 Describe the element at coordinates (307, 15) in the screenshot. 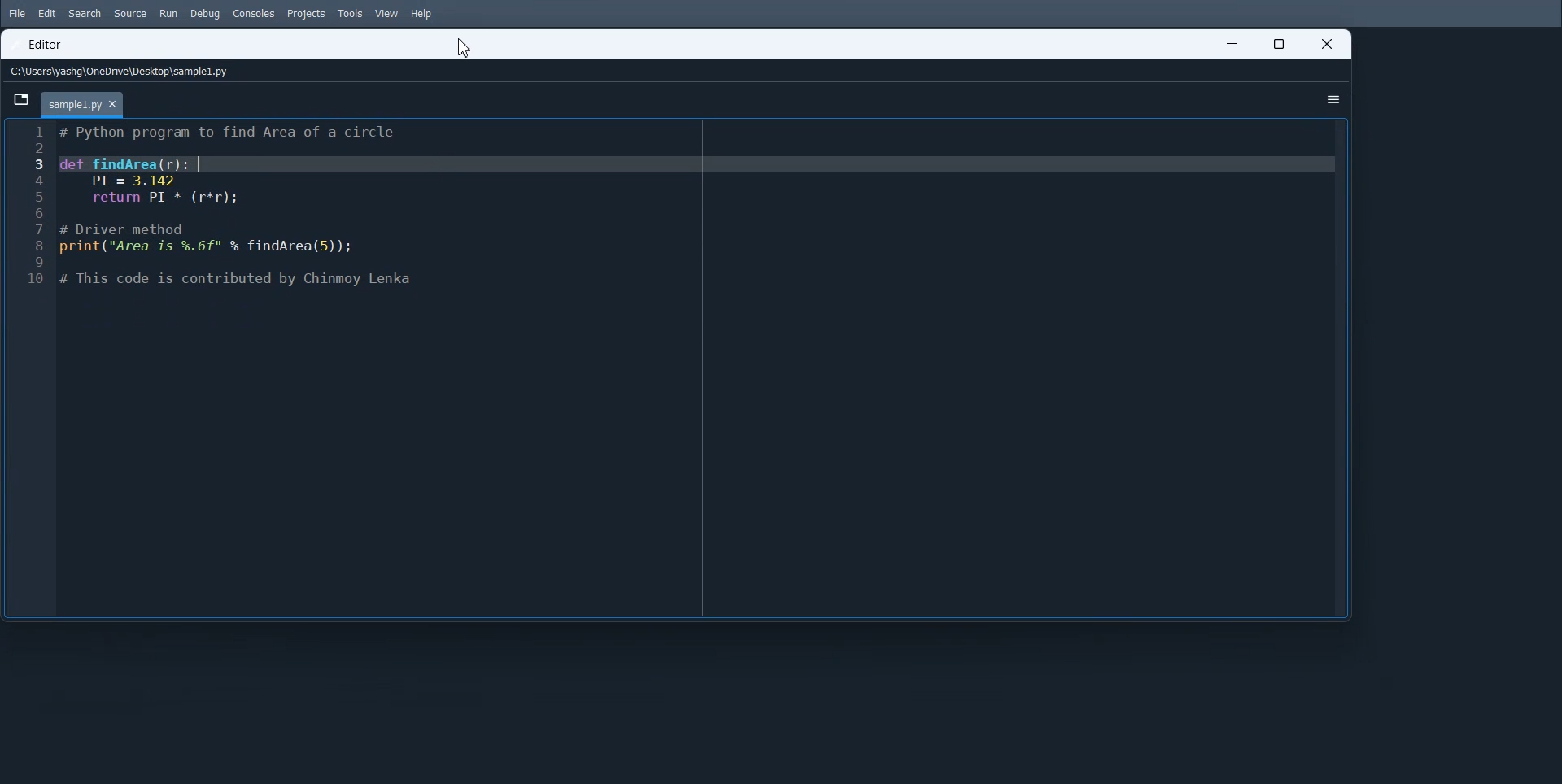

I see `Projects` at that location.